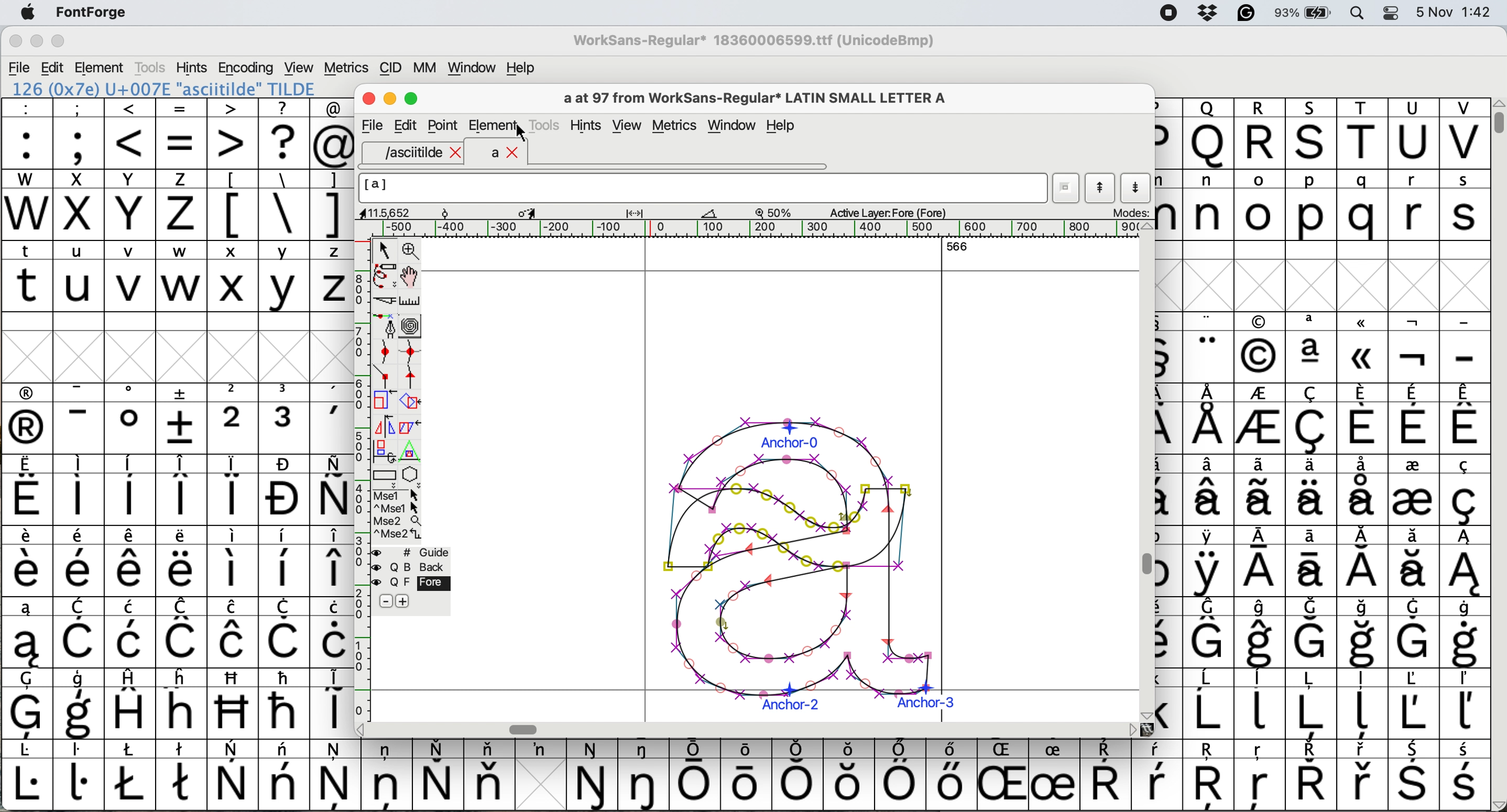 This screenshot has width=1507, height=812. Describe the element at coordinates (1464, 562) in the screenshot. I see `symbol` at that location.